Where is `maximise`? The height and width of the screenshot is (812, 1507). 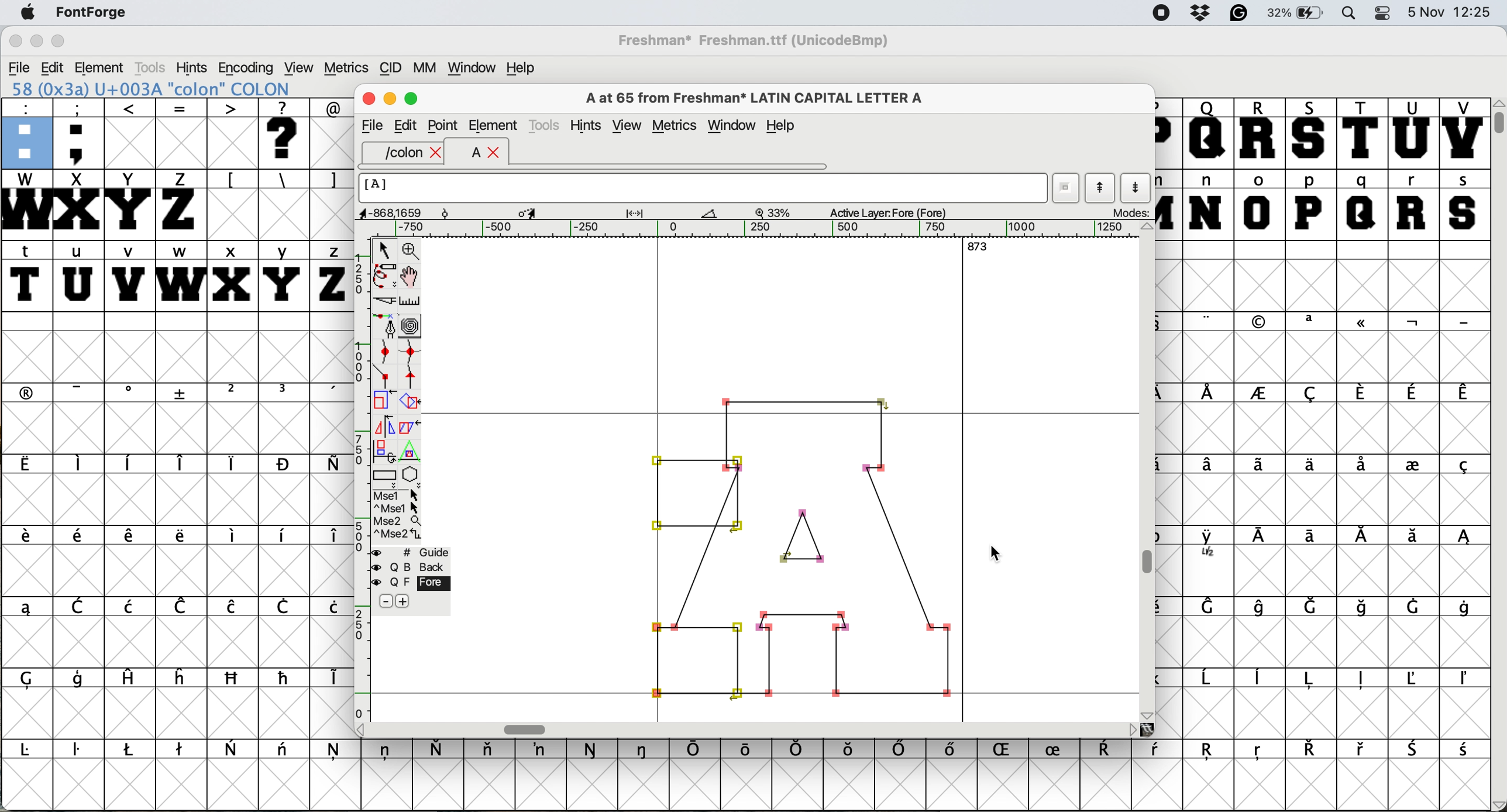 maximise is located at coordinates (61, 40).